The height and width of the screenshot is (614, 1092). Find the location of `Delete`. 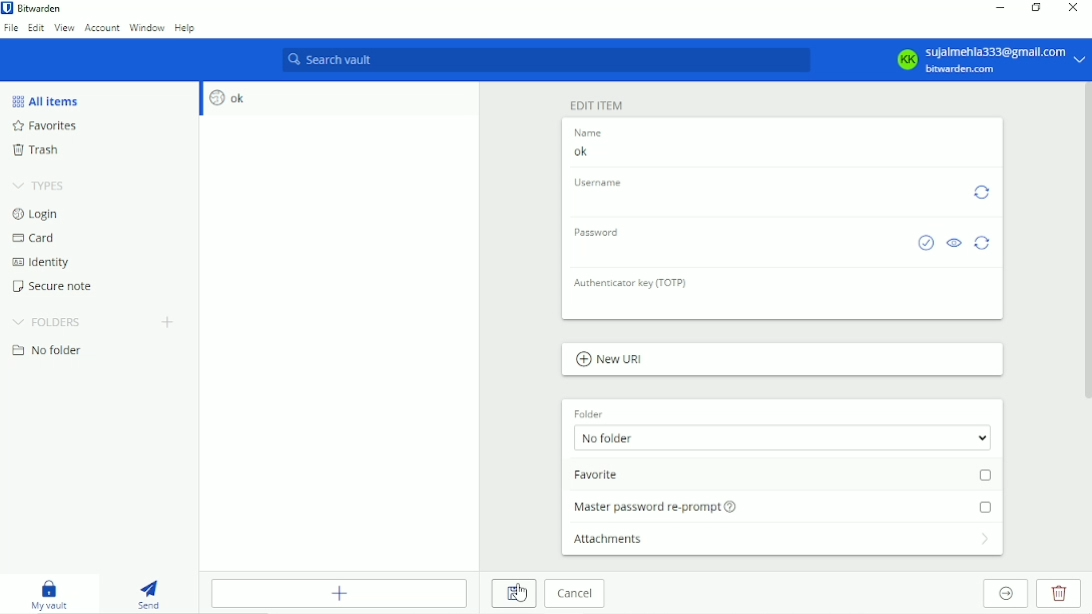

Delete is located at coordinates (1059, 594).